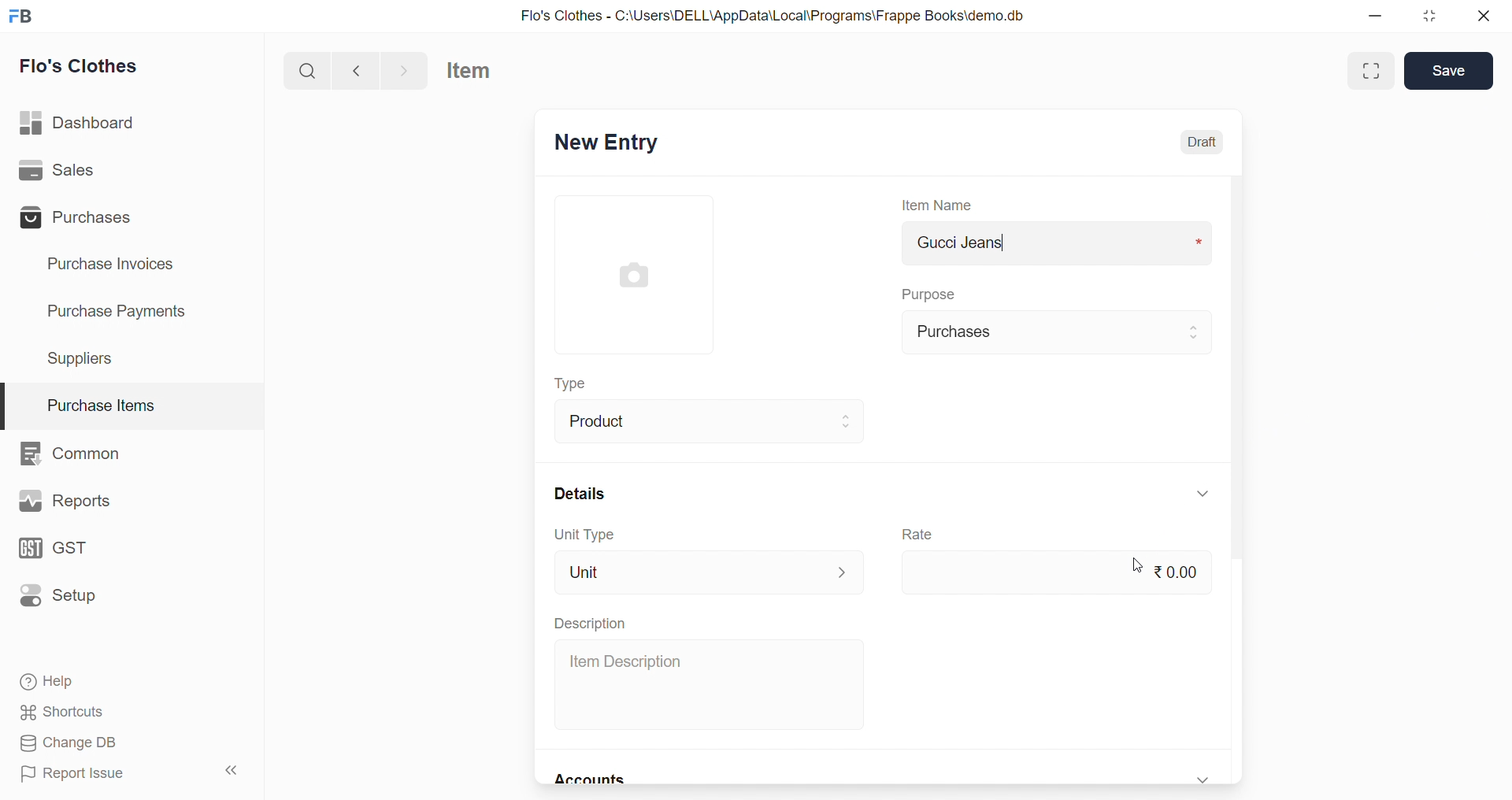 This screenshot has width=1512, height=800. I want to click on Product, so click(713, 420).